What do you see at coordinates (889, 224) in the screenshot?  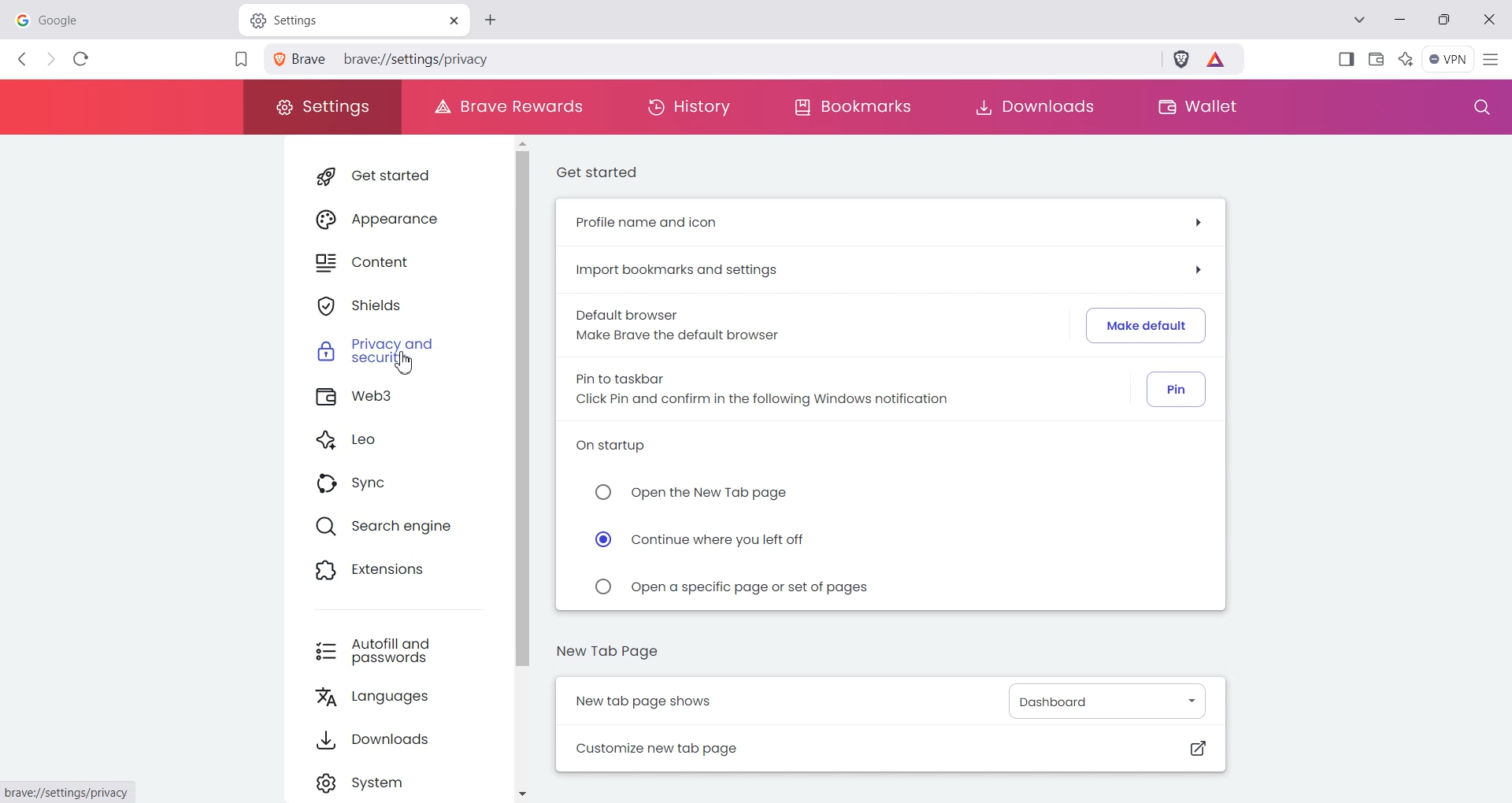 I see `Profile name and icon` at bounding box center [889, 224].